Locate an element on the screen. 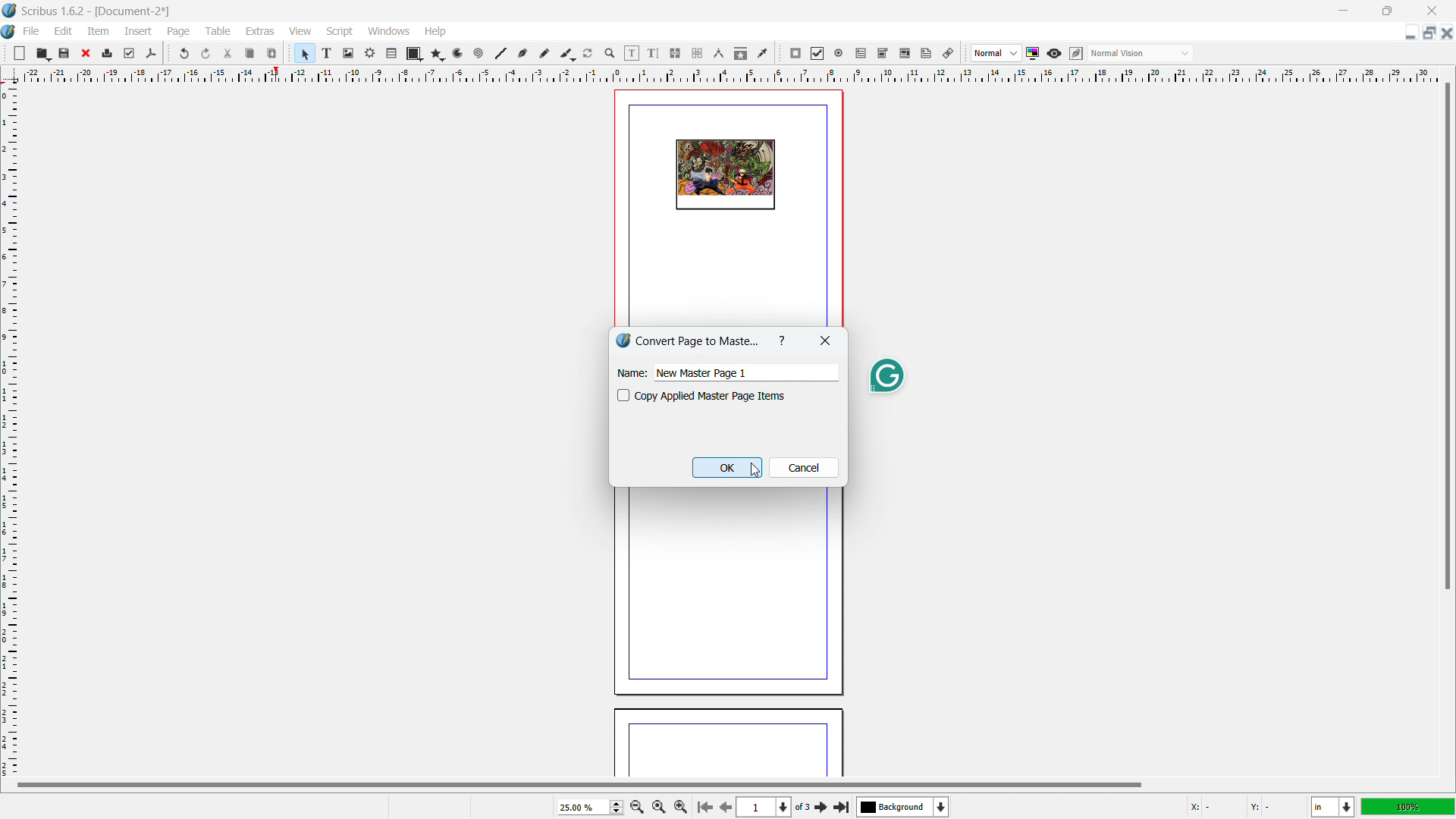  horizontal scrollbar is located at coordinates (579, 784).